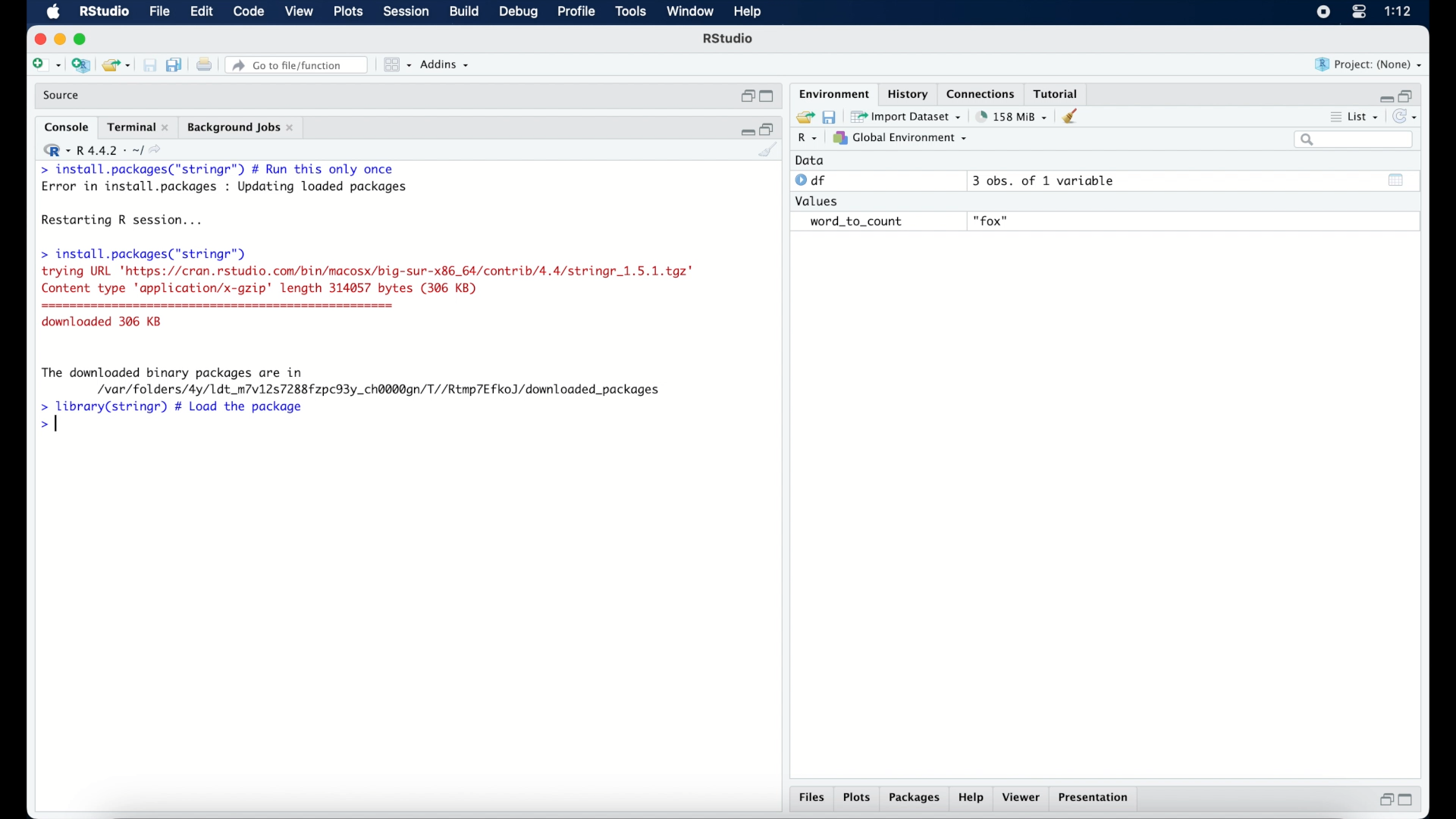  What do you see at coordinates (221, 170) in the screenshot?
I see `> install.packages("stringr") # Run this only once|` at bounding box center [221, 170].